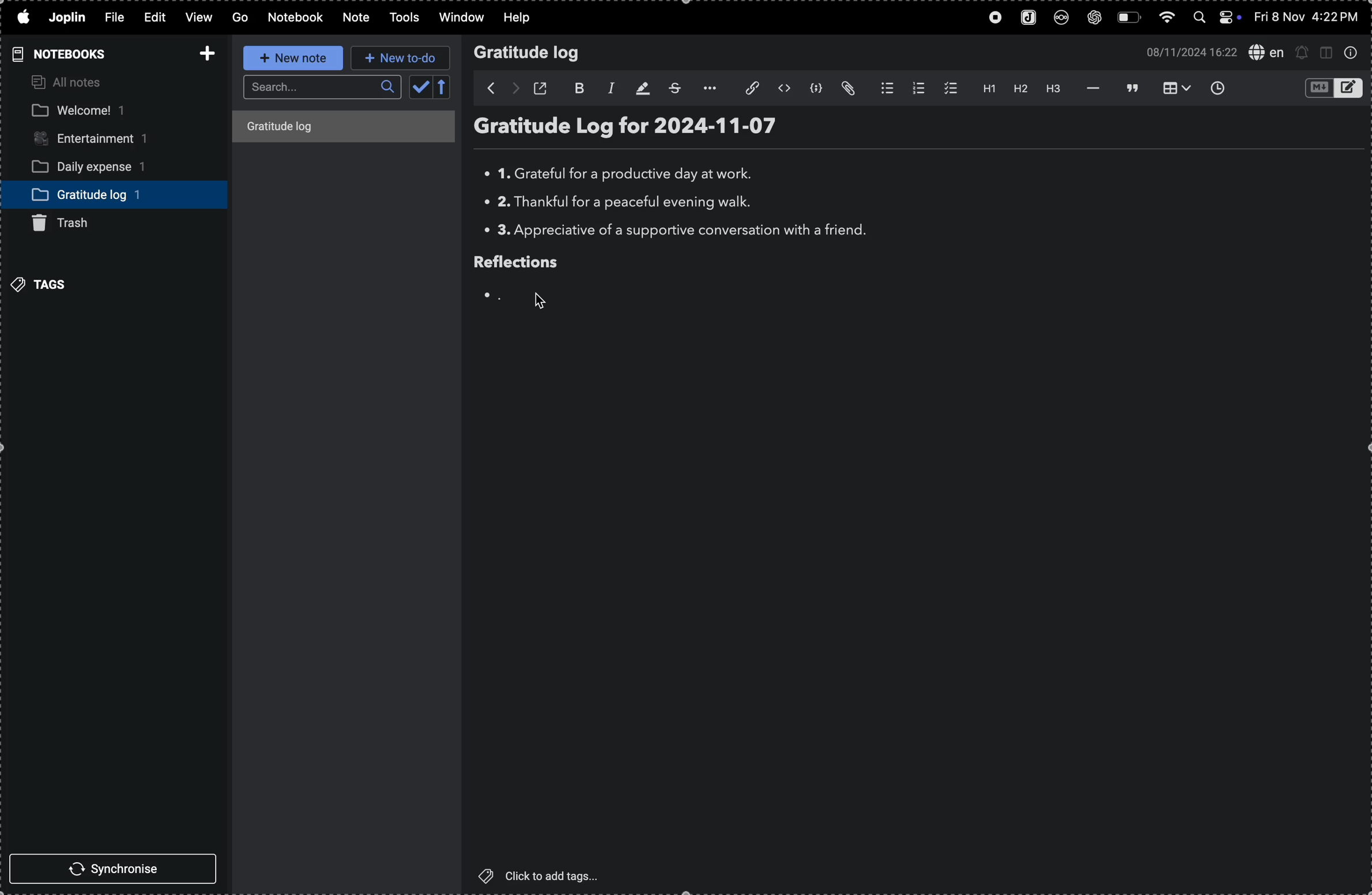  Describe the element at coordinates (99, 167) in the screenshot. I see `daily expense` at that location.